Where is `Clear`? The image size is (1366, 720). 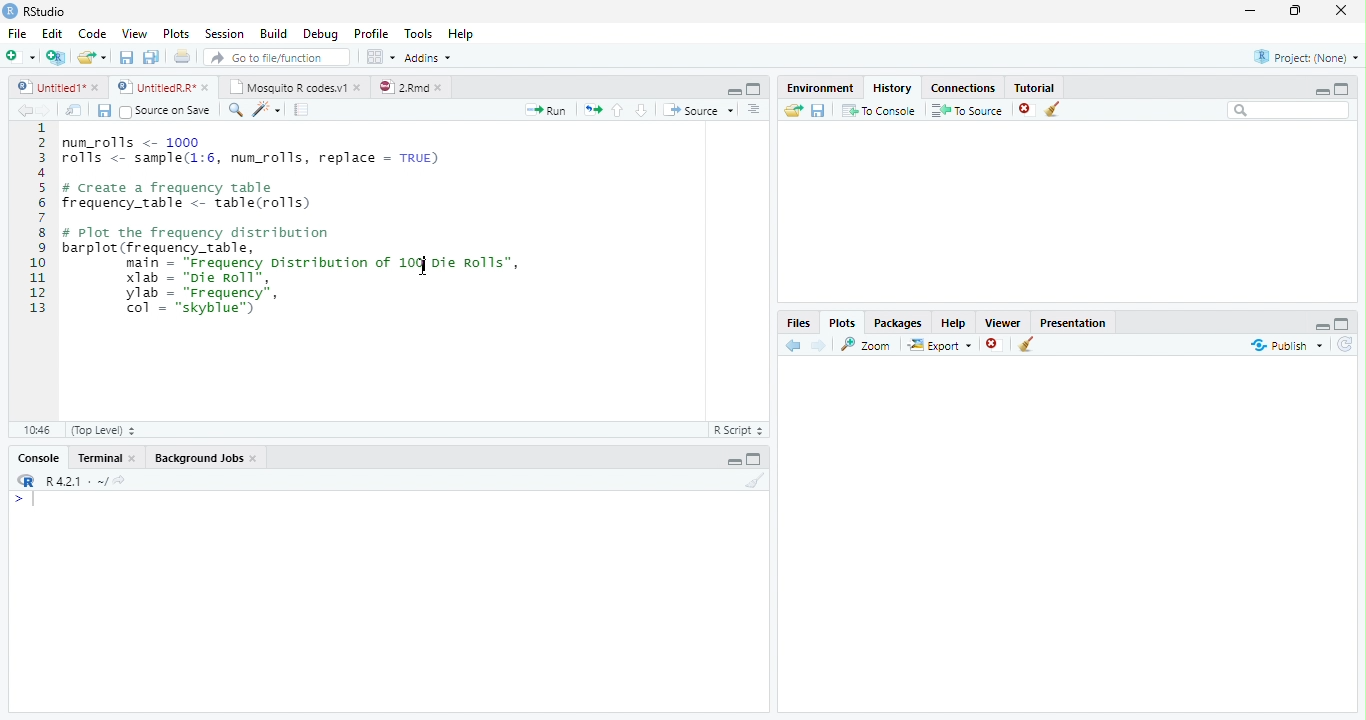 Clear is located at coordinates (1026, 344).